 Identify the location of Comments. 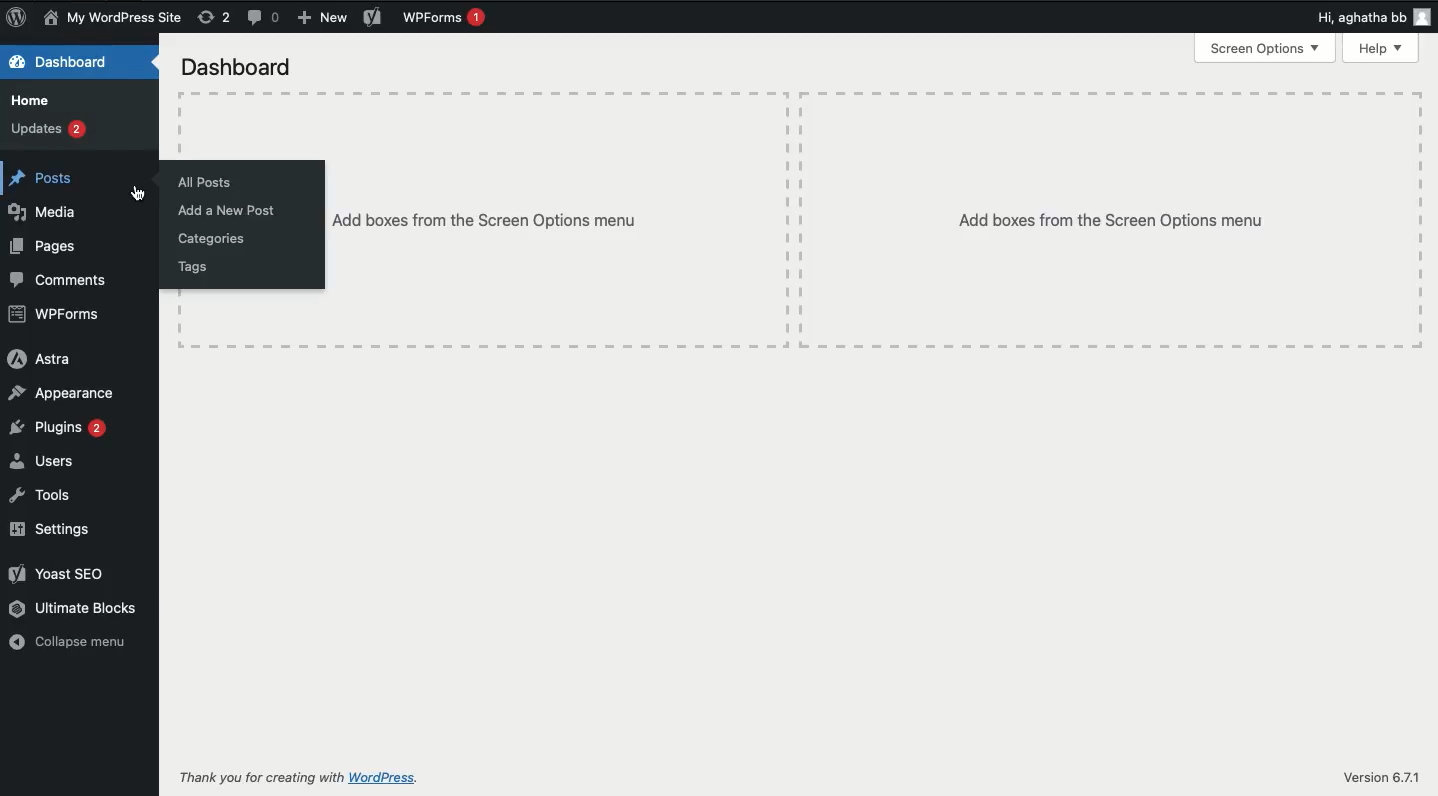
(57, 279).